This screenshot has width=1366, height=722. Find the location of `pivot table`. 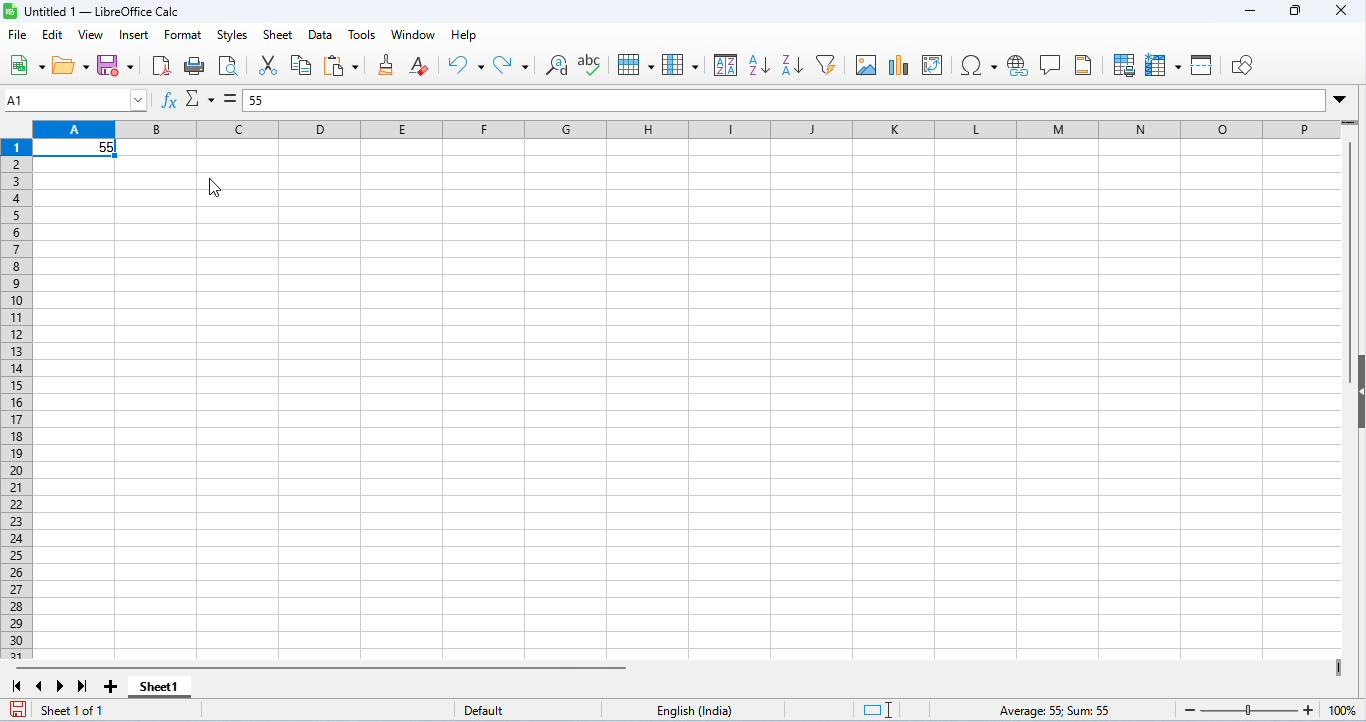

pivot table is located at coordinates (935, 66).